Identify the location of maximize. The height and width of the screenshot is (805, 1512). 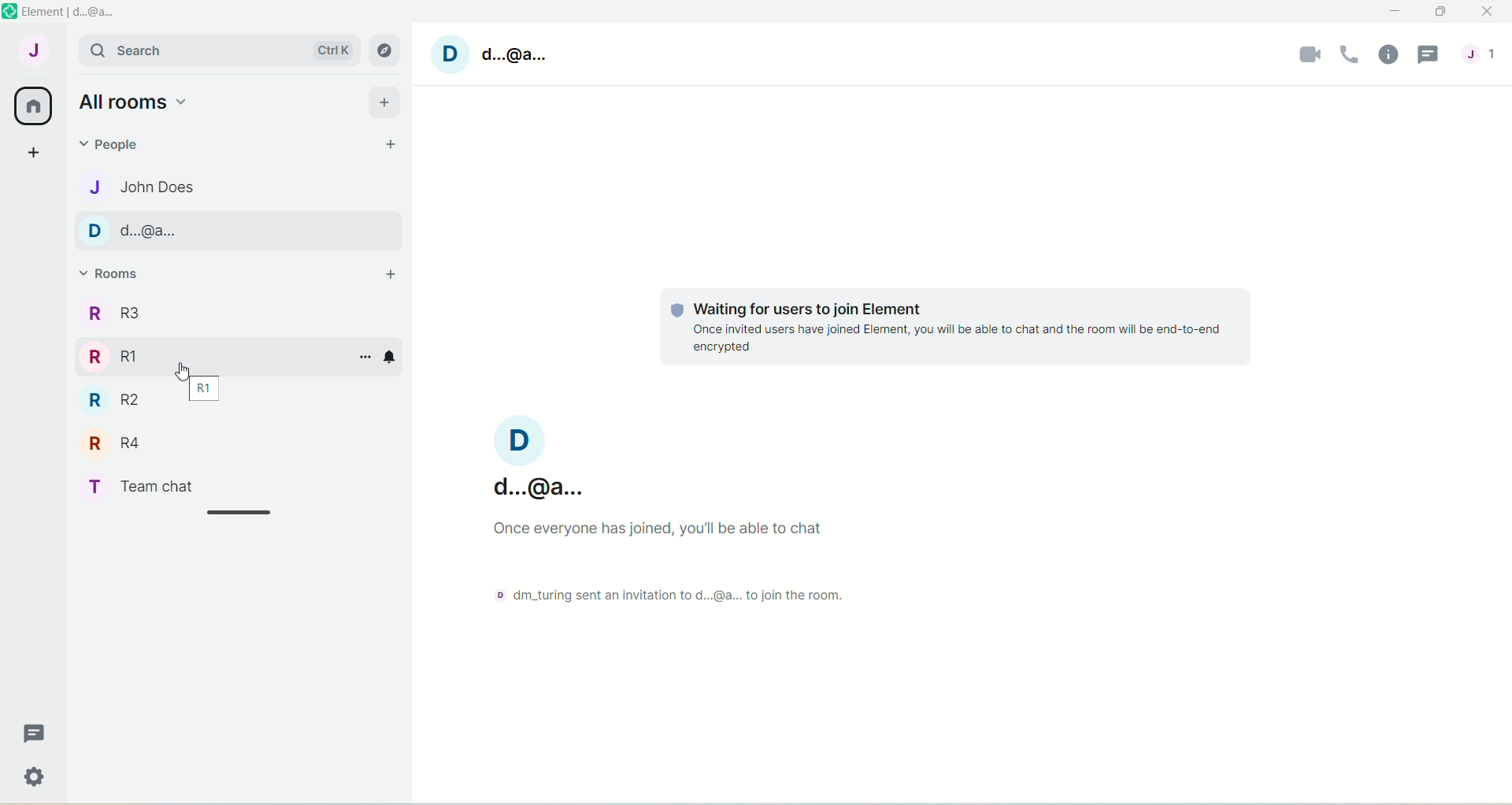
(1443, 15).